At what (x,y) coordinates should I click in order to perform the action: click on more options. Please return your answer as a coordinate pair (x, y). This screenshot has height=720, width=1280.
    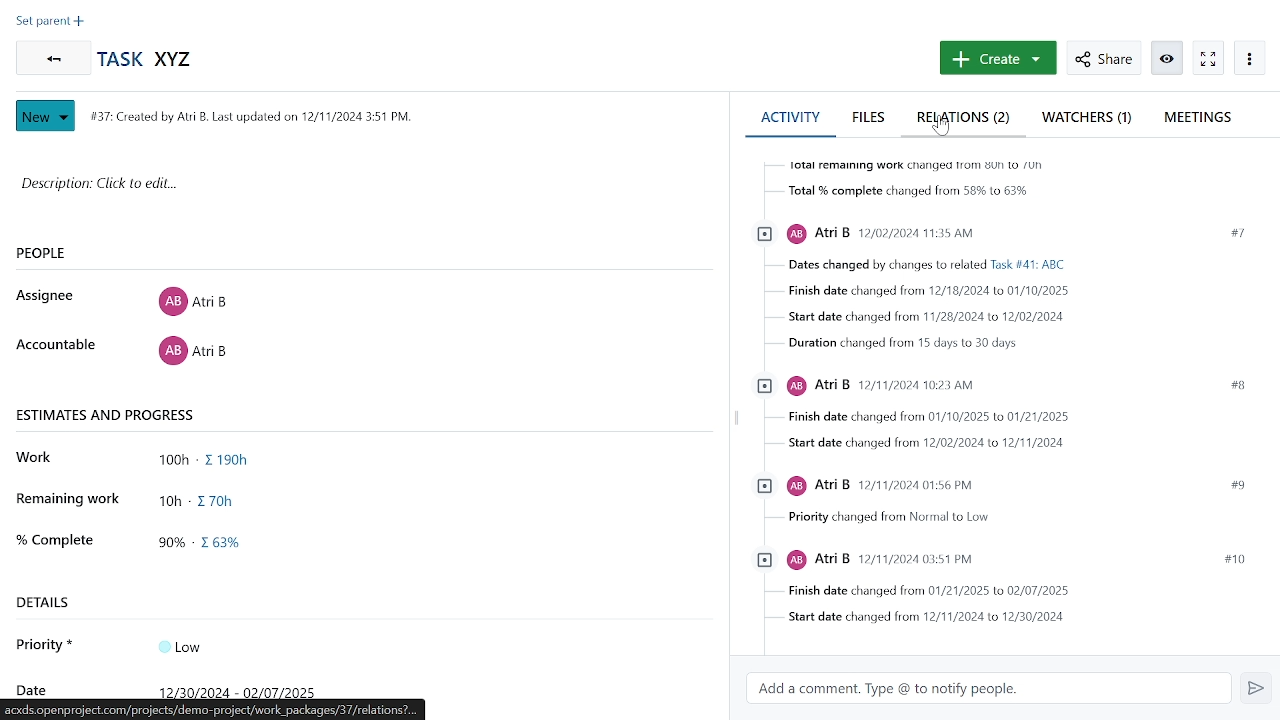
    Looking at the image, I should click on (1250, 60).